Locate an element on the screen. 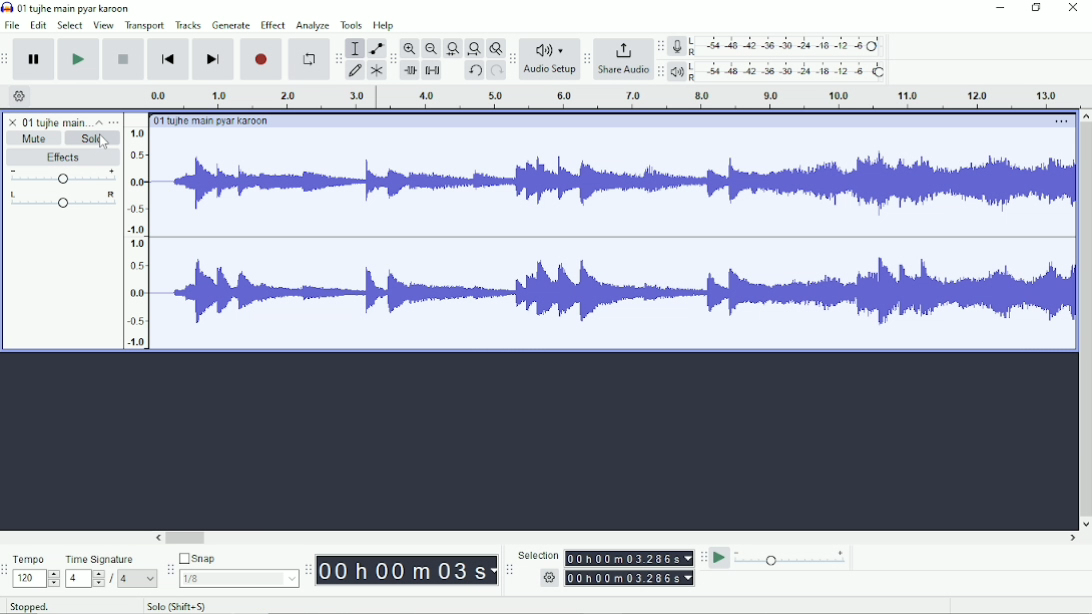 Image resolution: width=1092 pixels, height=614 pixels. Redo is located at coordinates (494, 71).